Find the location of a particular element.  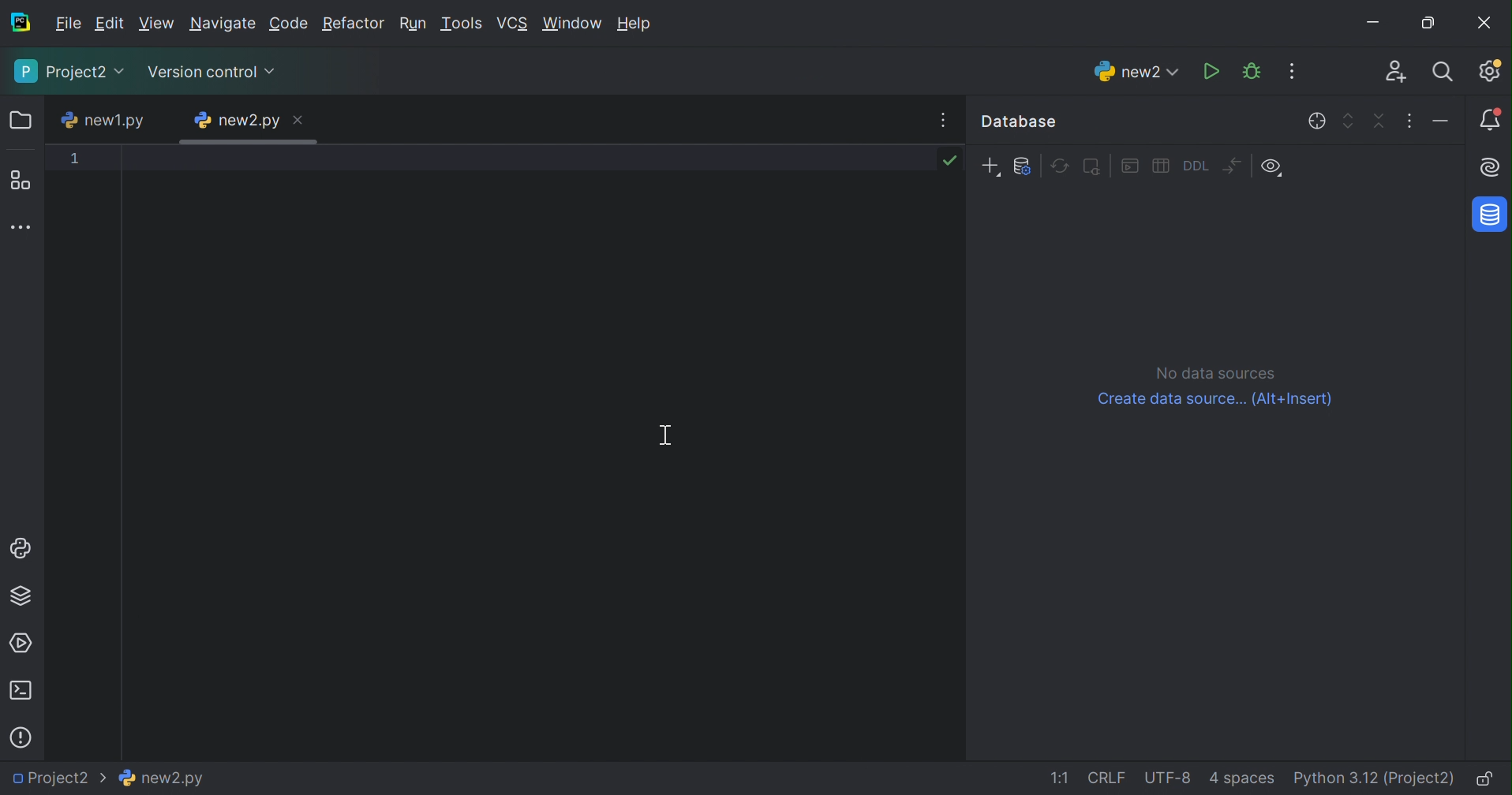

Code with me is located at coordinates (1397, 73).